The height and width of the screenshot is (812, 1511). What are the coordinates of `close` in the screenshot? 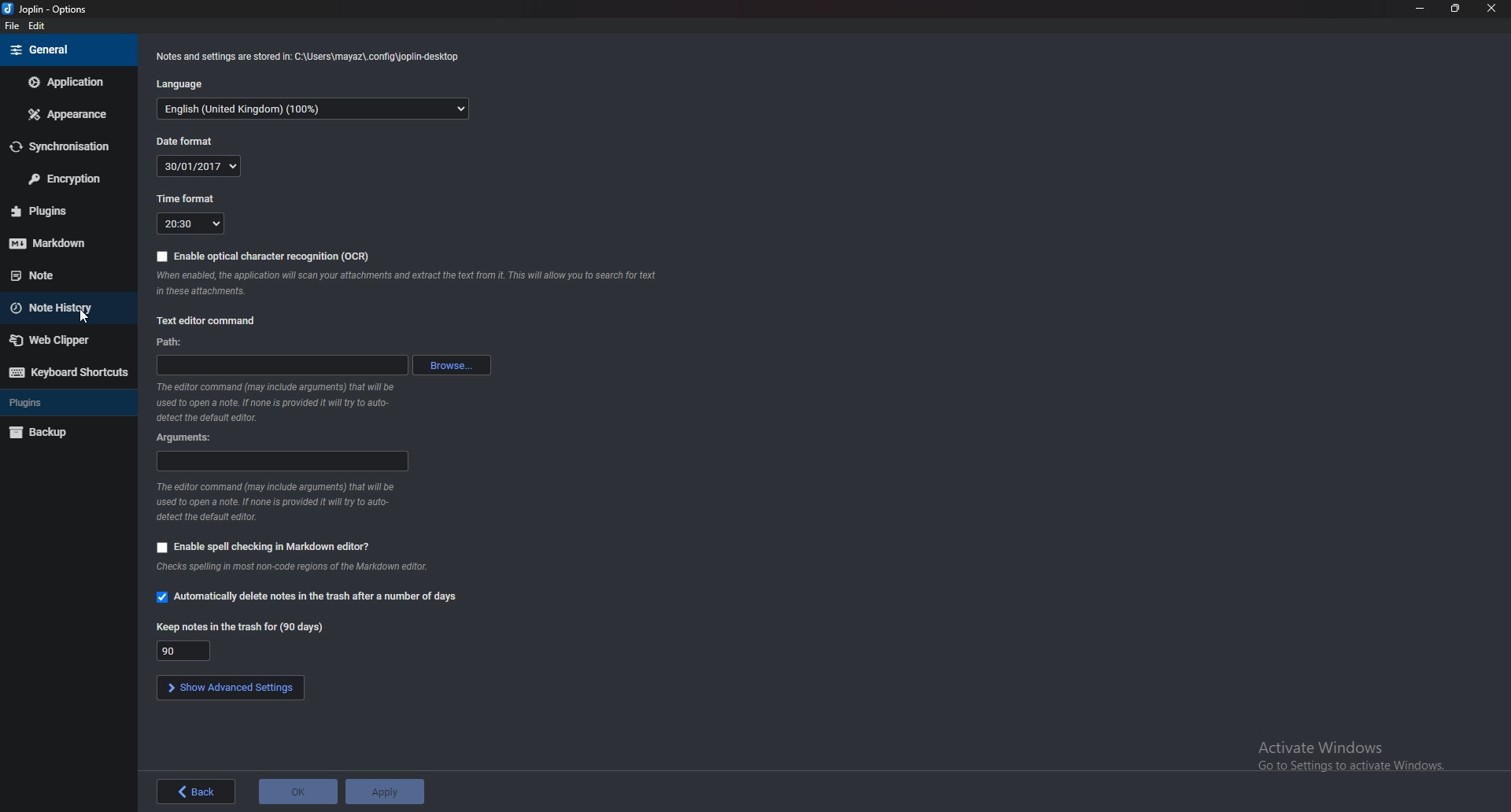 It's located at (1489, 9).